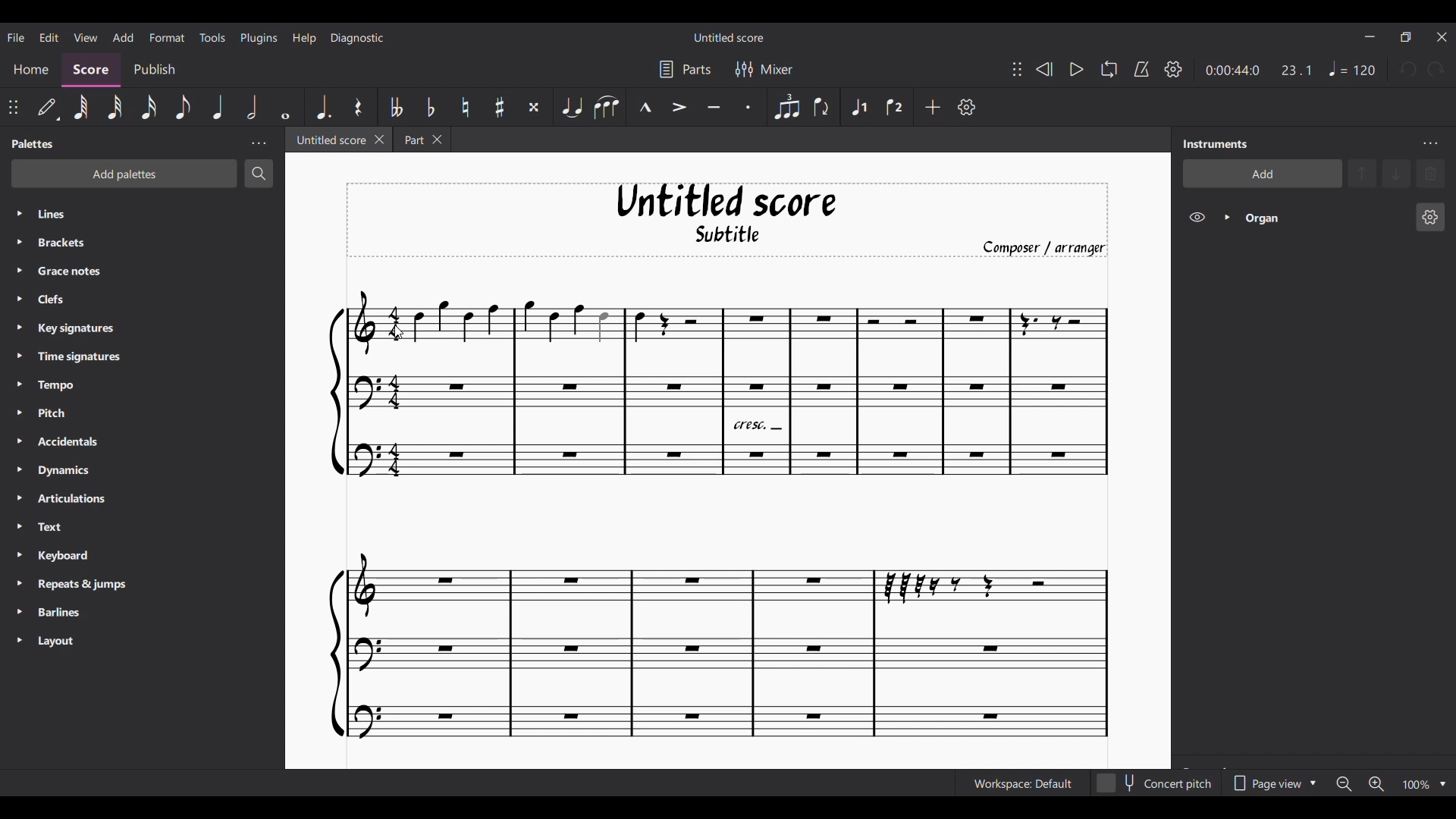 The width and height of the screenshot is (1456, 819). What do you see at coordinates (1397, 173) in the screenshot?
I see `Move selection down` at bounding box center [1397, 173].